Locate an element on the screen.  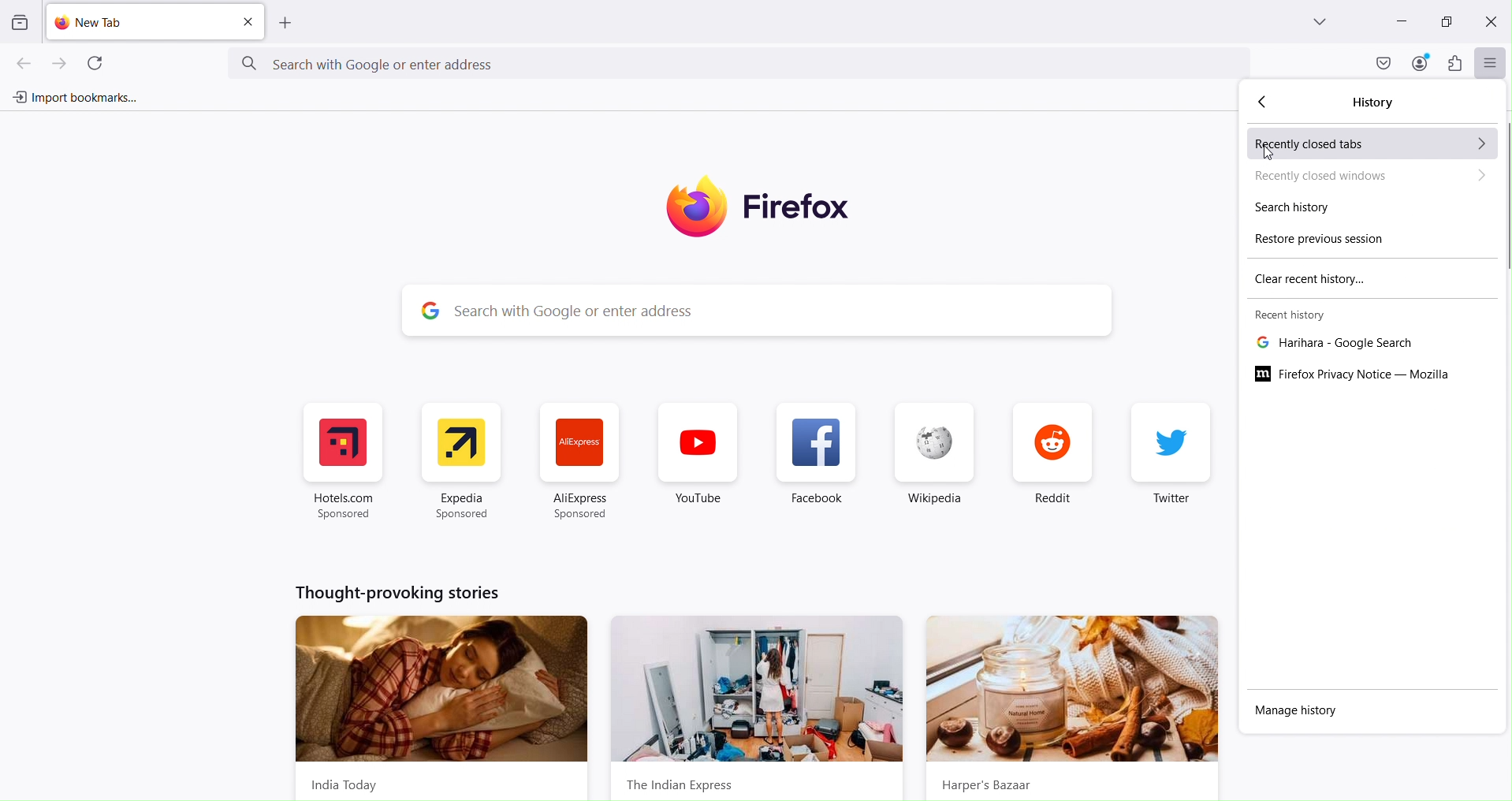
Recently closed inboxes is located at coordinates (1372, 175).